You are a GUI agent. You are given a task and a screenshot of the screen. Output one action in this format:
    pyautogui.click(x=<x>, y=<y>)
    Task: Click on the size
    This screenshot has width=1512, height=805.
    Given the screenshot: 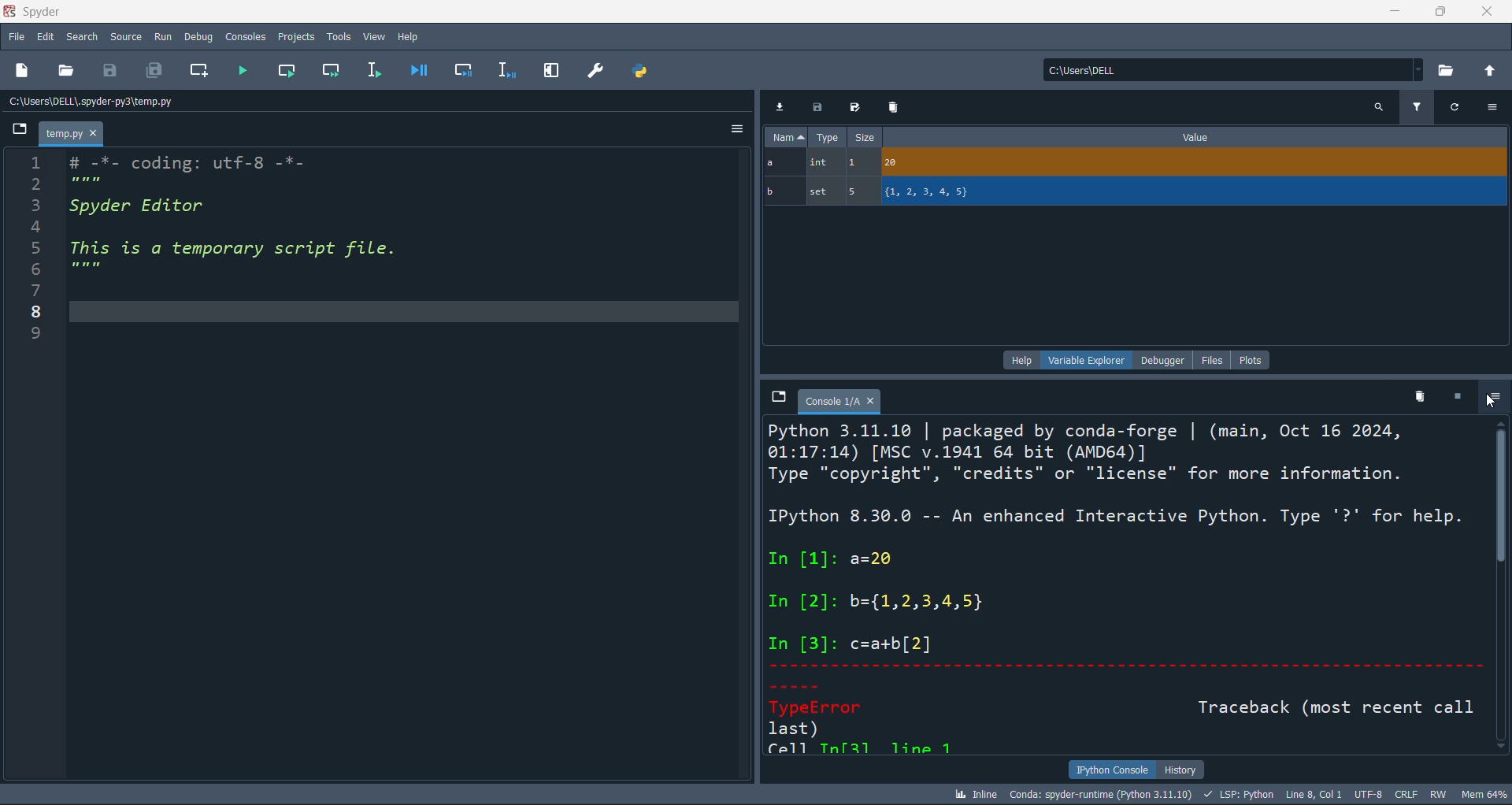 What is the action you would take?
    pyautogui.click(x=864, y=138)
    